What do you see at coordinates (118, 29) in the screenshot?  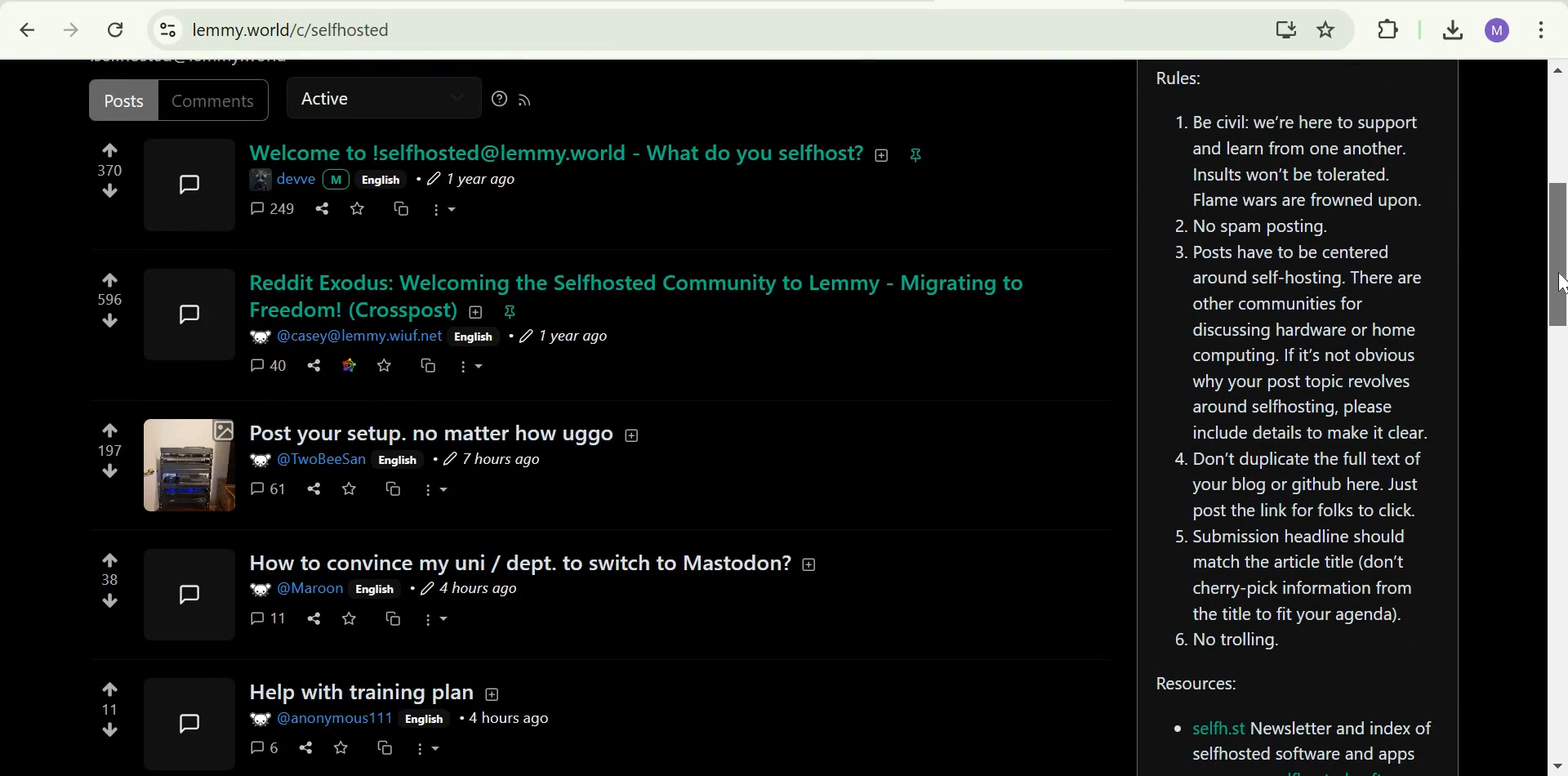 I see `Reload this page.` at bounding box center [118, 29].